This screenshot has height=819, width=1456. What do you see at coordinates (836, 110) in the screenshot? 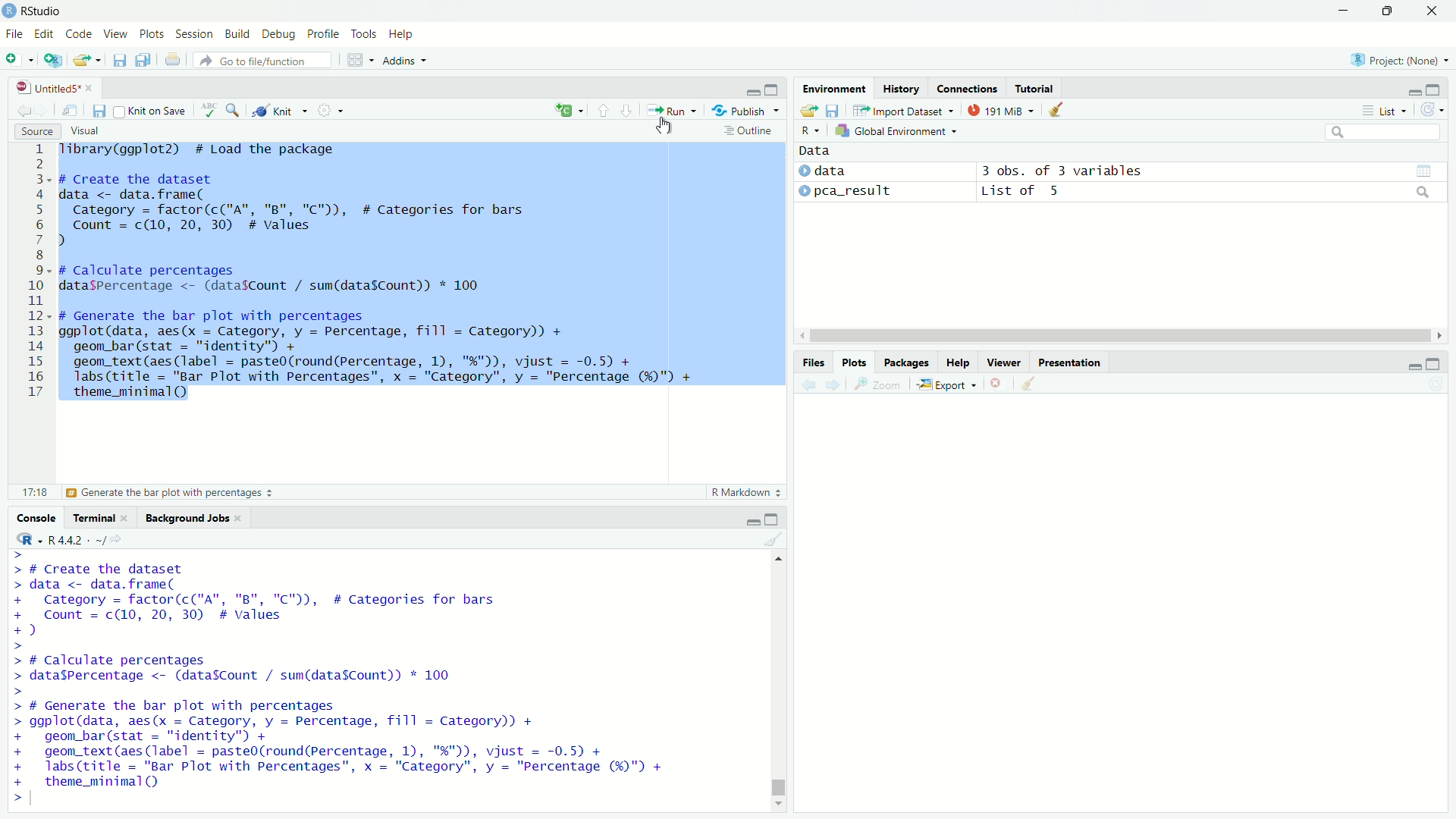
I see `save as workspace` at bounding box center [836, 110].